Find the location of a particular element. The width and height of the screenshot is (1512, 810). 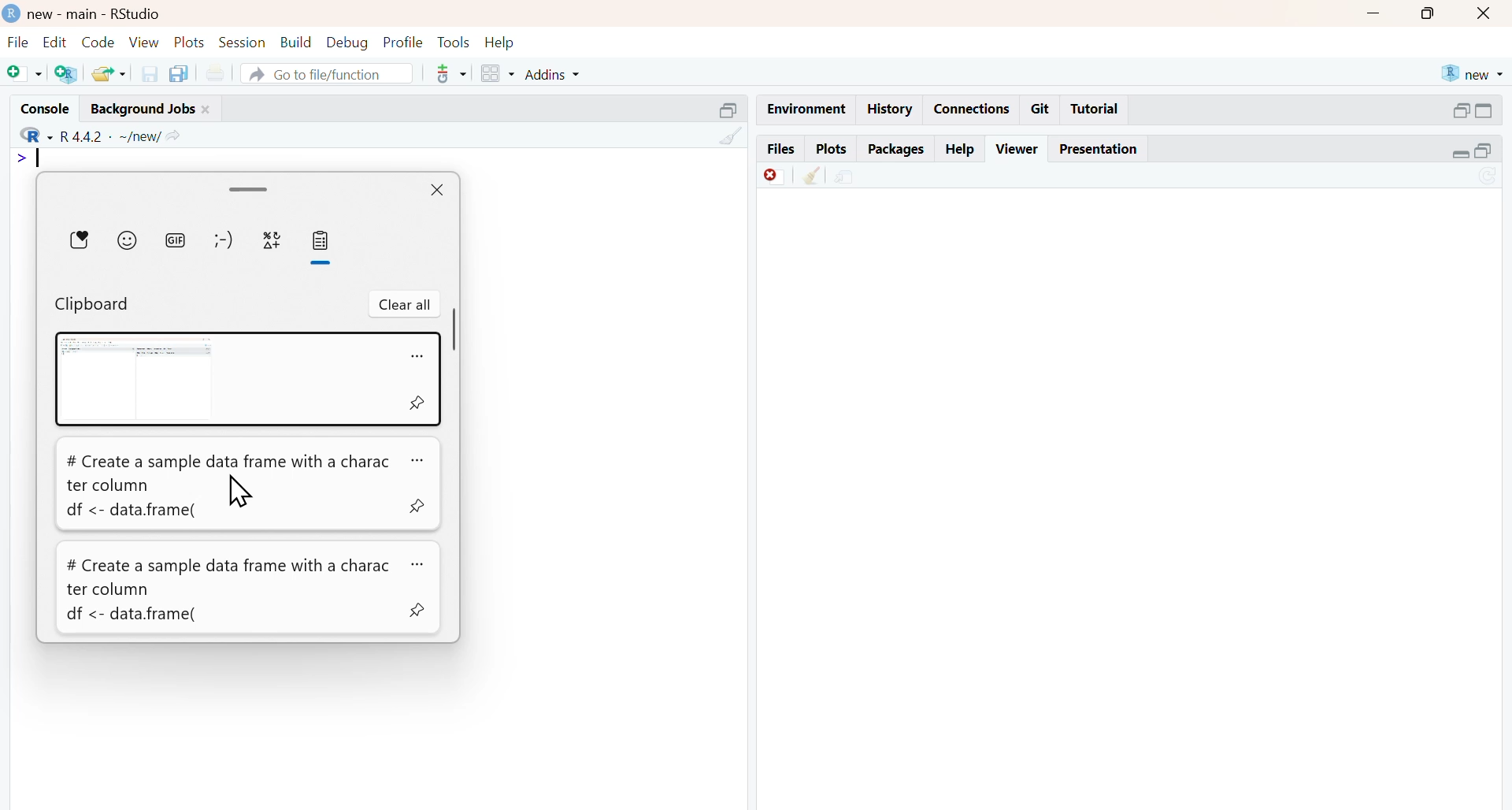

# Create a sample data frame with a character column df <- data.frame( is located at coordinates (230, 489).